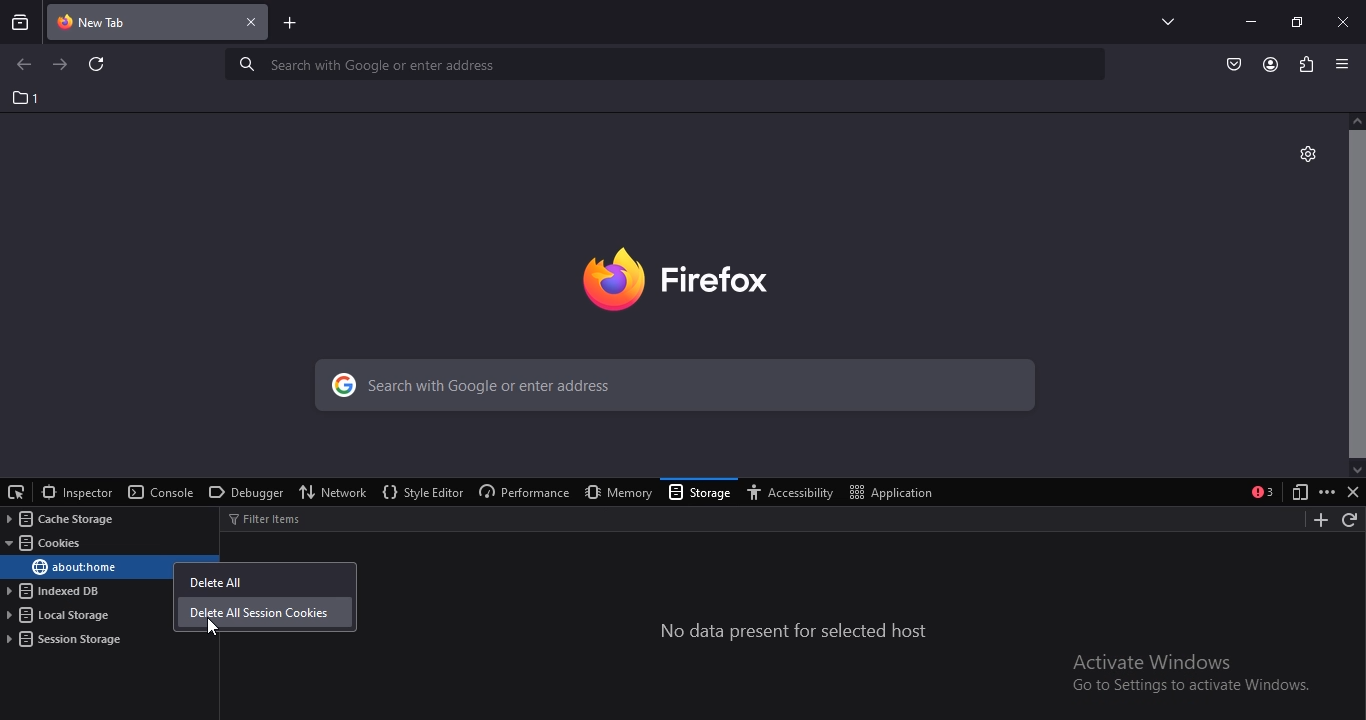 The width and height of the screenshot is (1366, 720). I want to click on open application menu, so click(1345, 64).